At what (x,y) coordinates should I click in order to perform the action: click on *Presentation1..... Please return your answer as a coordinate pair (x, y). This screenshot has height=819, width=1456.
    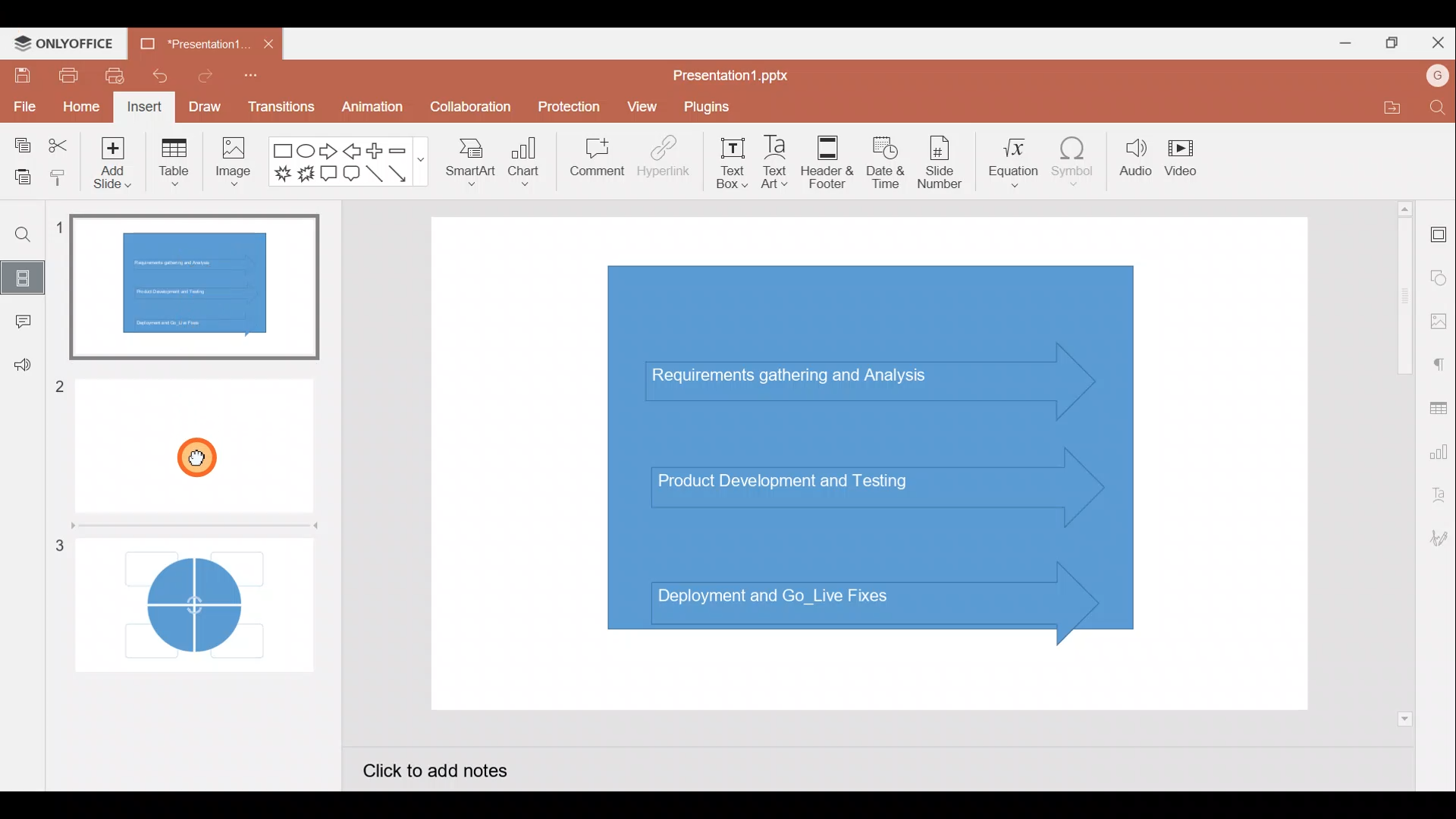
    Looking at the image, I should click on (195, 43).